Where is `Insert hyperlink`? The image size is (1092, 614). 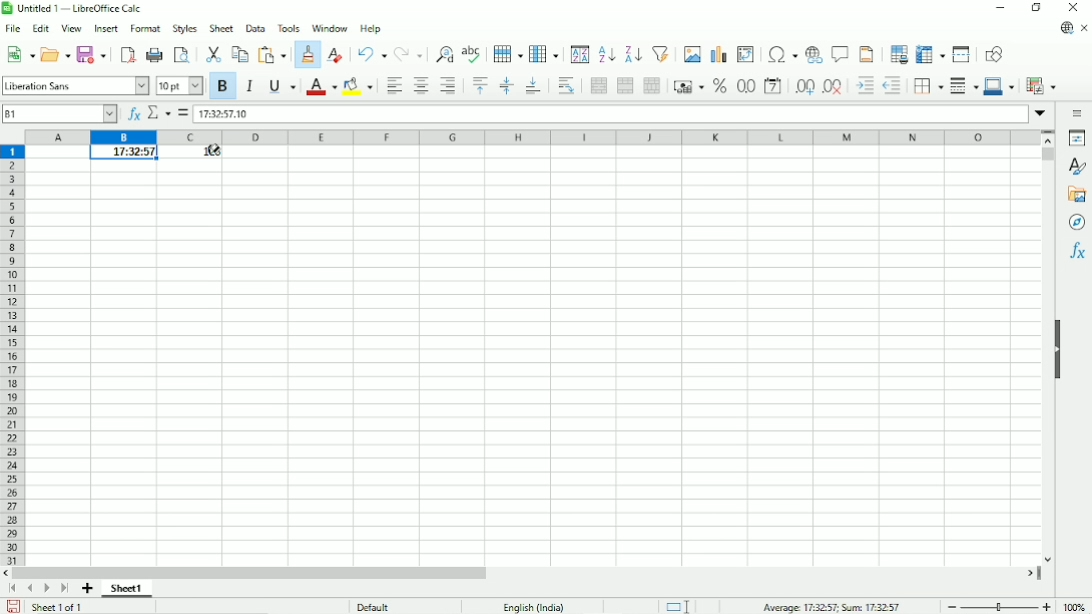
Insert hyperlink is located at coordinates (814, 55).